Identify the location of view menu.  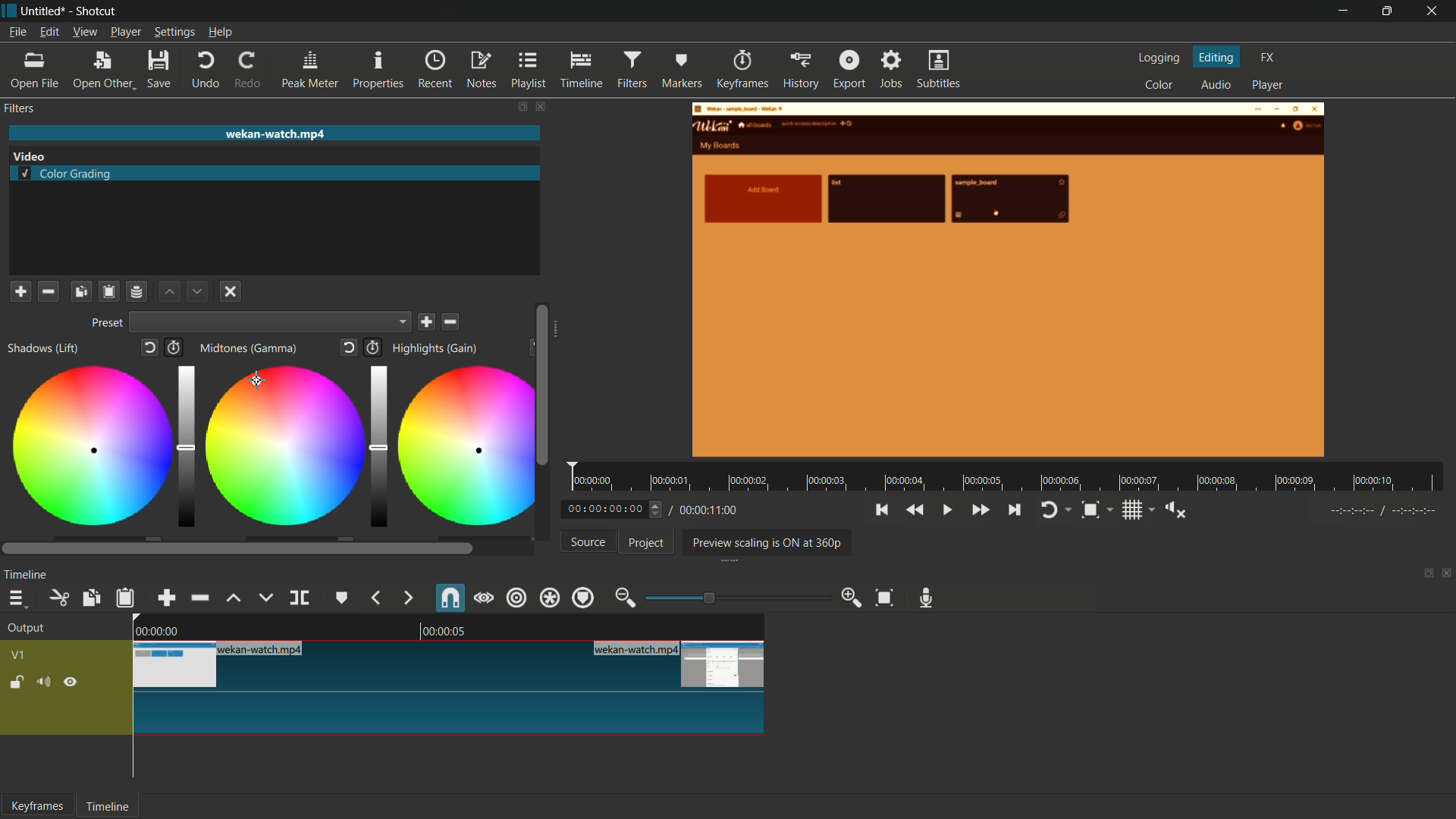
(85, 33).